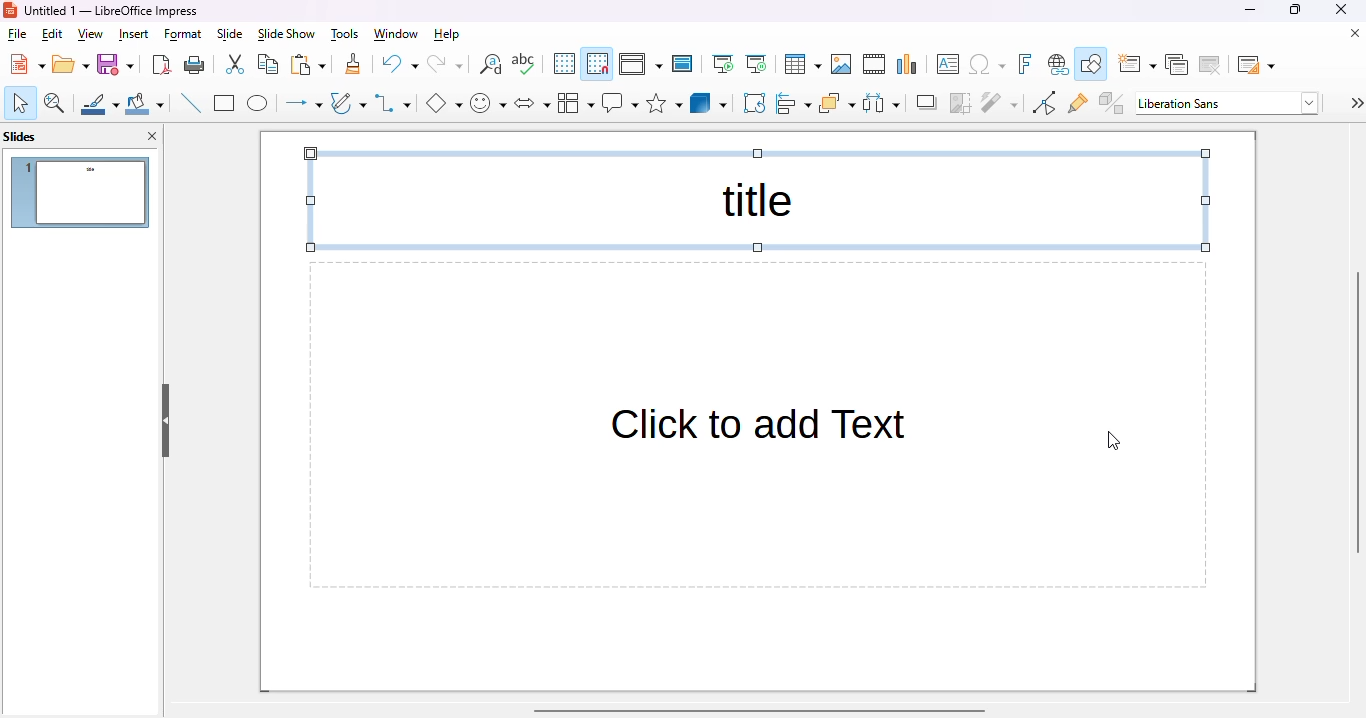 This screenshot has height=718, width=1366. What do you see at coordinates (837, 103) in the screenshot?
I see `arrange` at bounding box center [837, 103].